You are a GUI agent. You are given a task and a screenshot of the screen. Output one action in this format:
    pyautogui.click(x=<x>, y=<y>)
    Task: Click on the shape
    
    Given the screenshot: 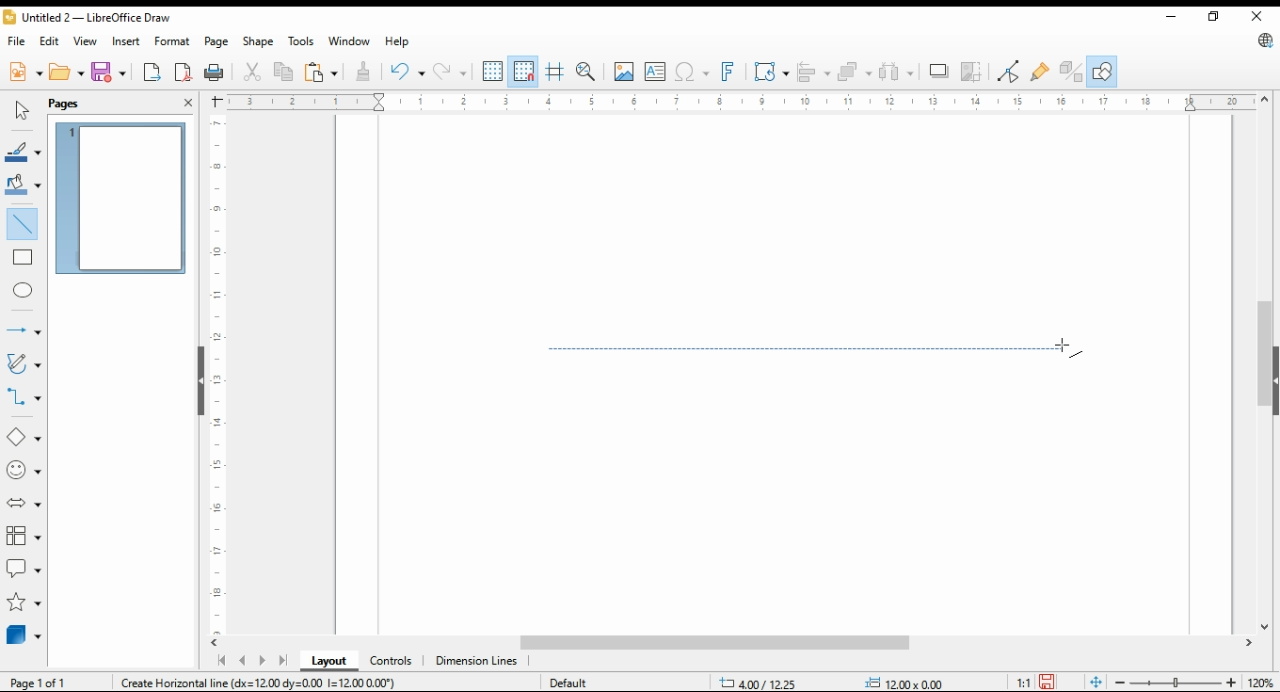 What is the action you would take?
    pyautogui.click(x=259, y=41)
    